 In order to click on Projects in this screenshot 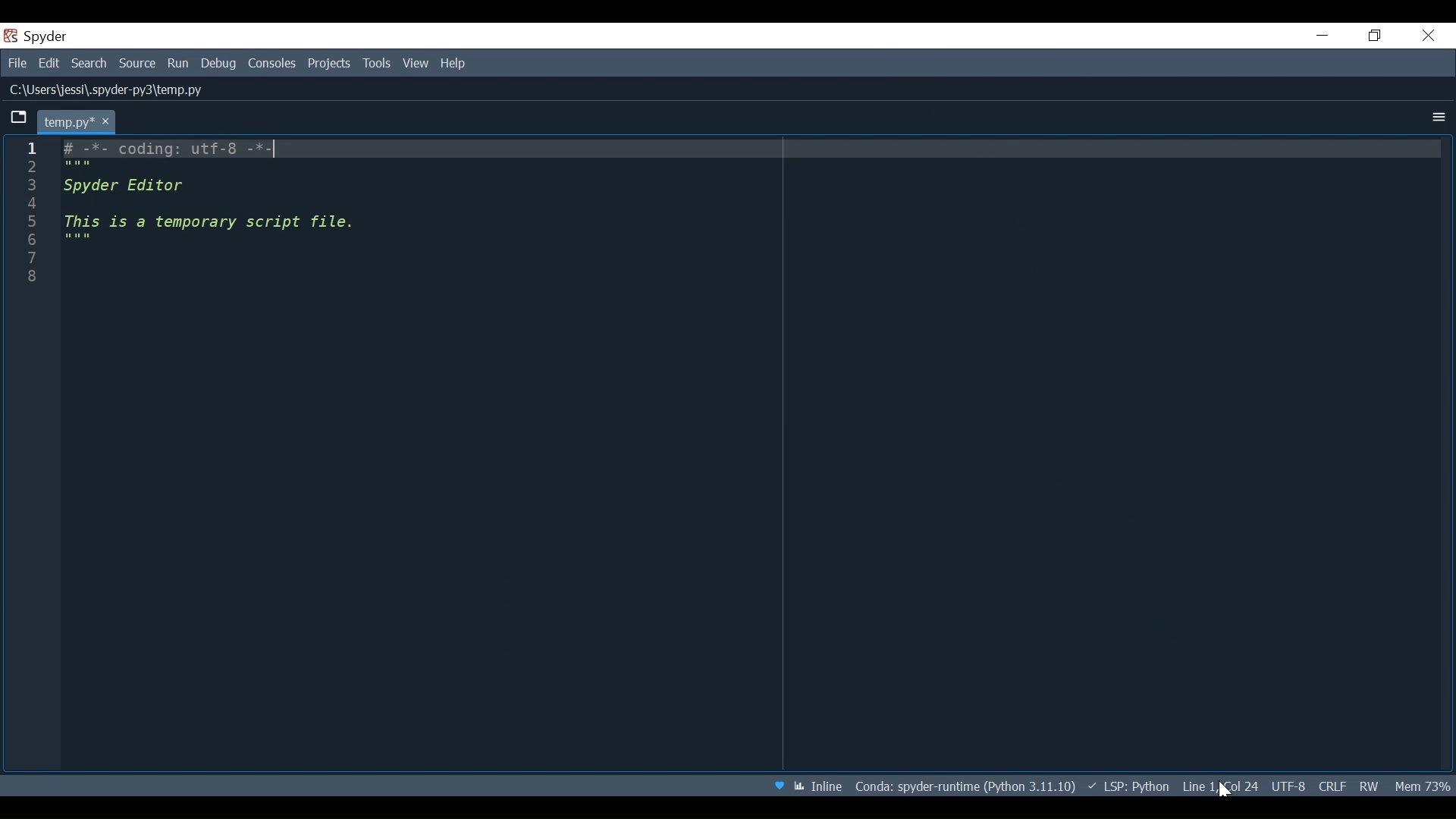, I will do `click(327, 62)`.